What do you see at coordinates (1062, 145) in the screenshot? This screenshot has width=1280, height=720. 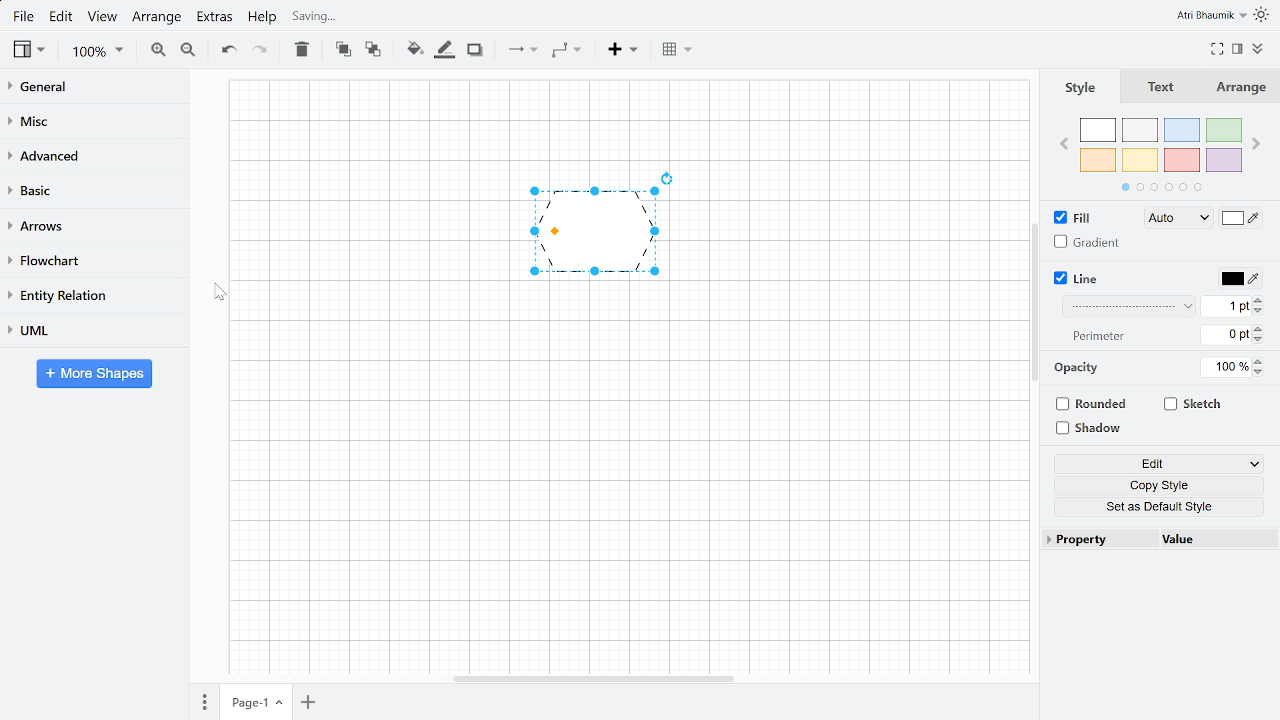 I see `Previous` at bounding box center [1062, 145].